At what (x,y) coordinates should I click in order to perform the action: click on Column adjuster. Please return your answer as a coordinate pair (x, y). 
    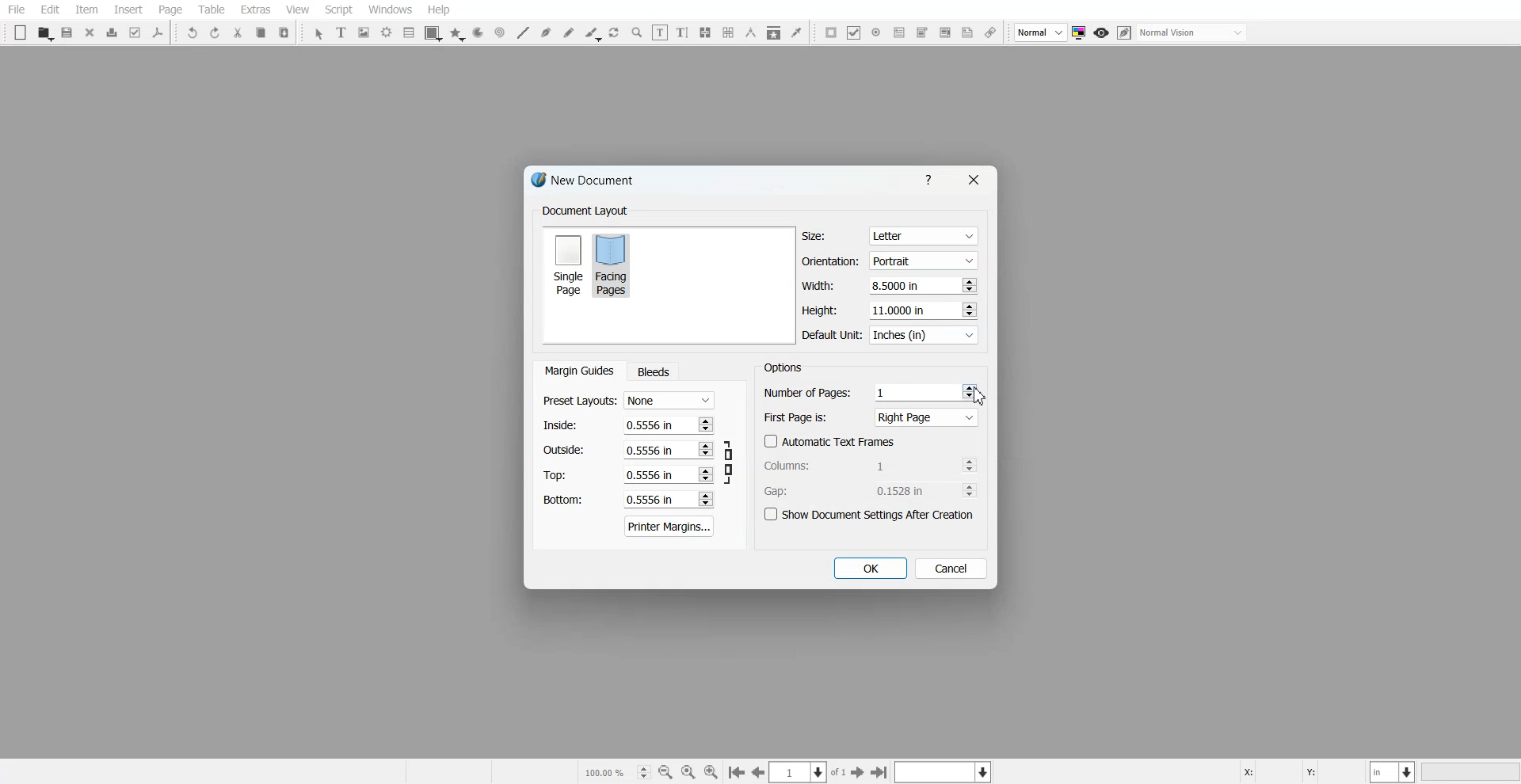
    Looking at the image, I should click on (871, 465).